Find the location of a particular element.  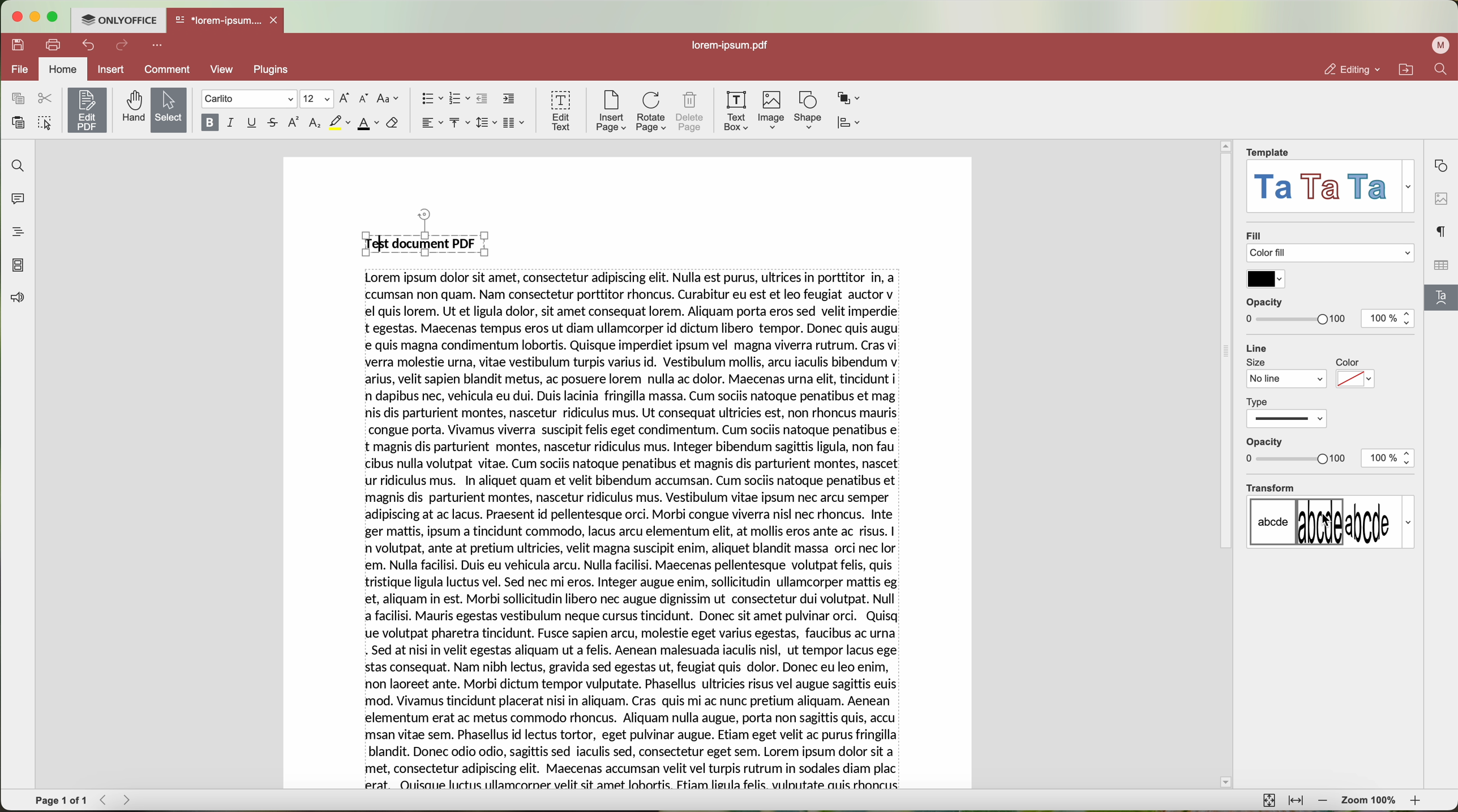

zoom out is located at coordinates (1323, 801).